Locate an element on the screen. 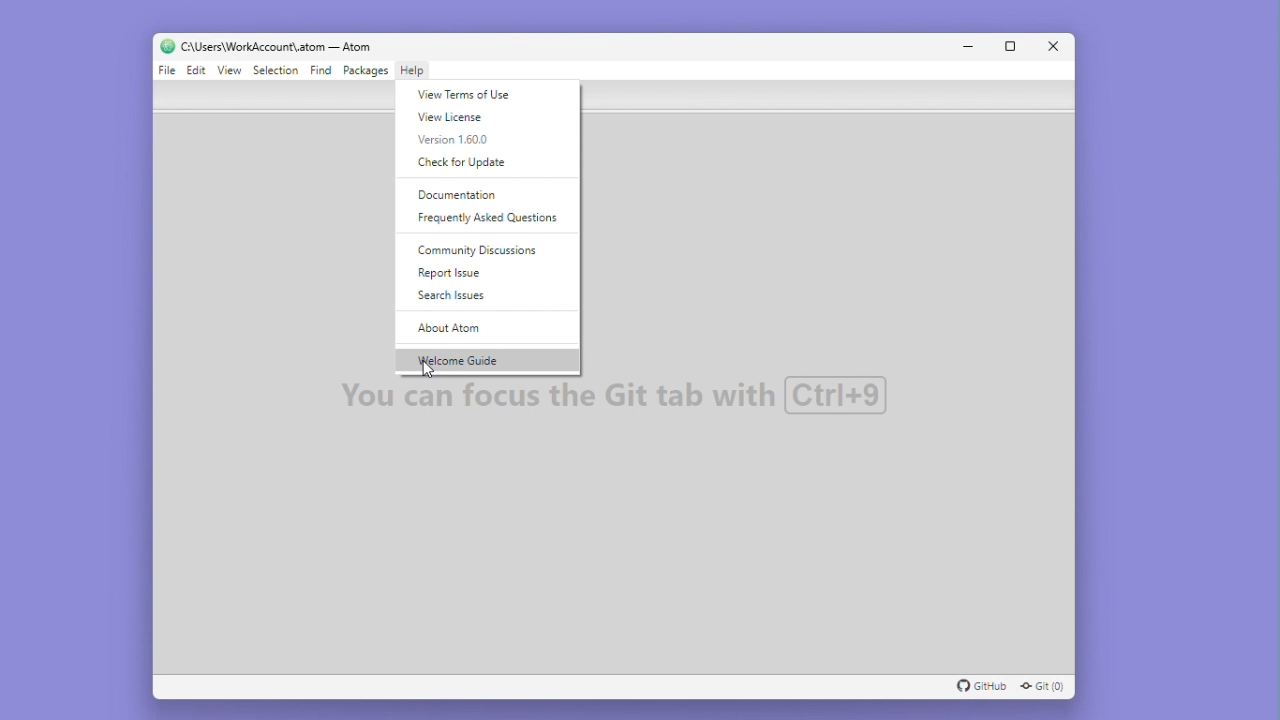 The image size is (1280, 720). Packages is located at coordinates (365, 71).